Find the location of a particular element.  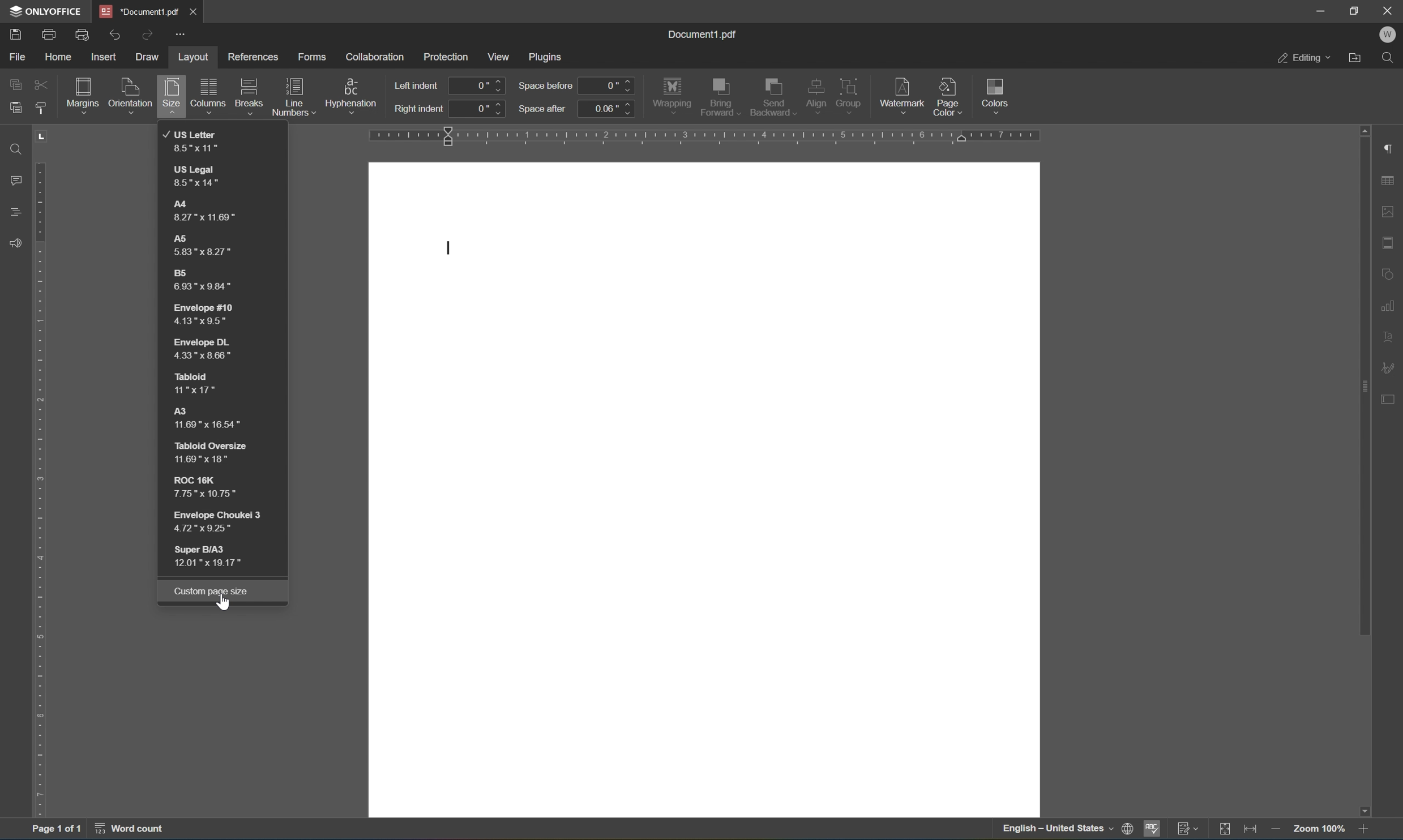

Envelope DL is located at coordinates (201, 351).